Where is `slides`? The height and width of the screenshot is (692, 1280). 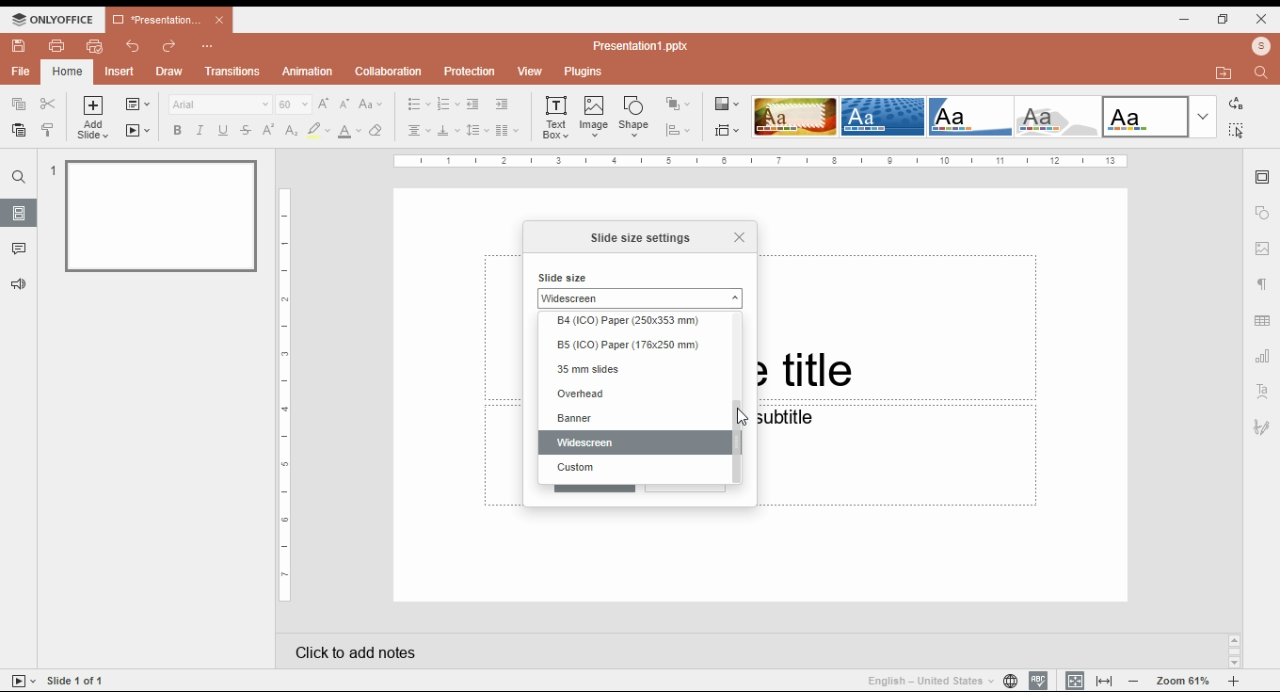
slides is located at coordinates (19, 212).